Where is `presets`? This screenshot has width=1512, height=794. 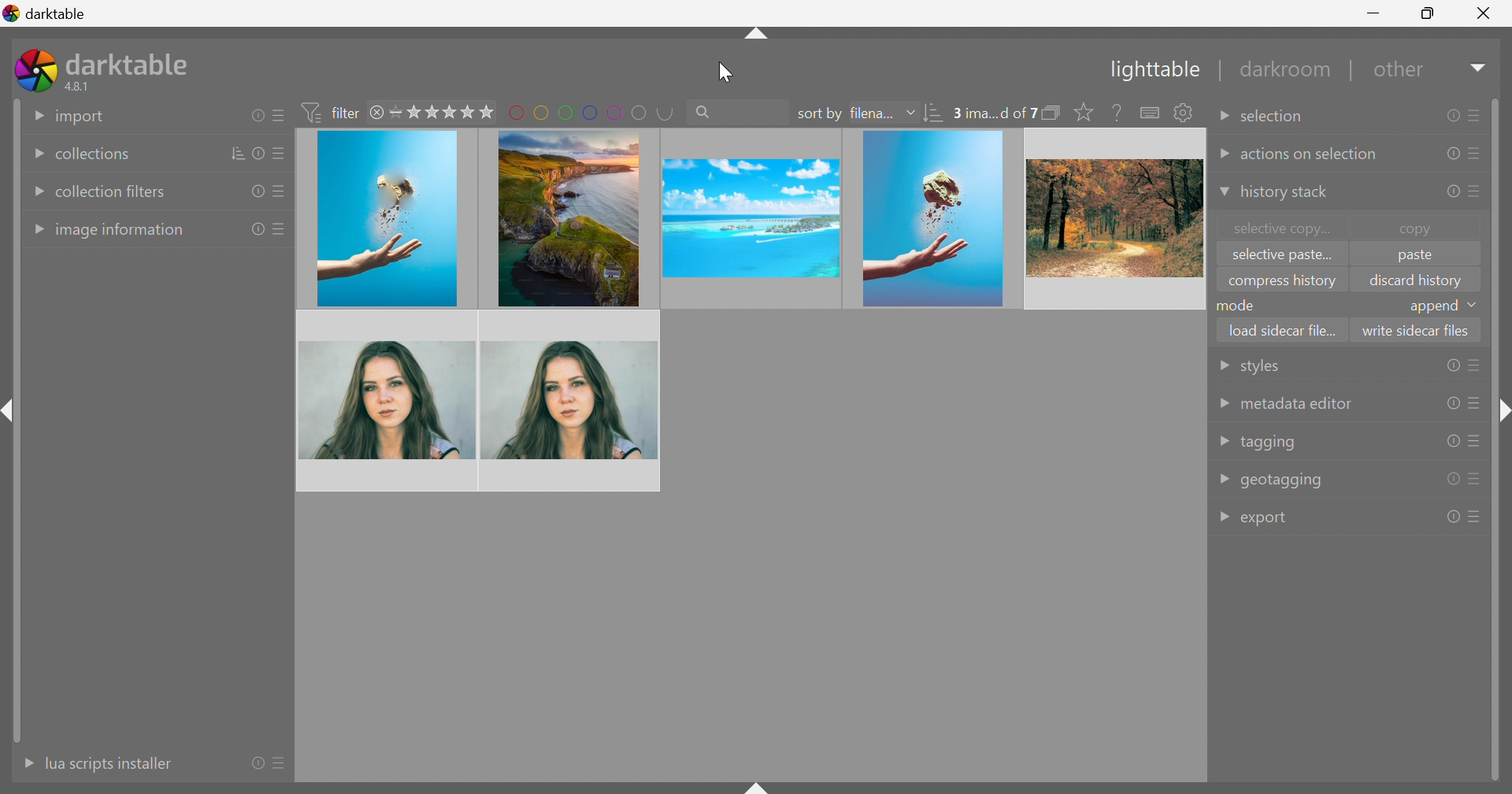 presets is located at coordinates (1475, 404).